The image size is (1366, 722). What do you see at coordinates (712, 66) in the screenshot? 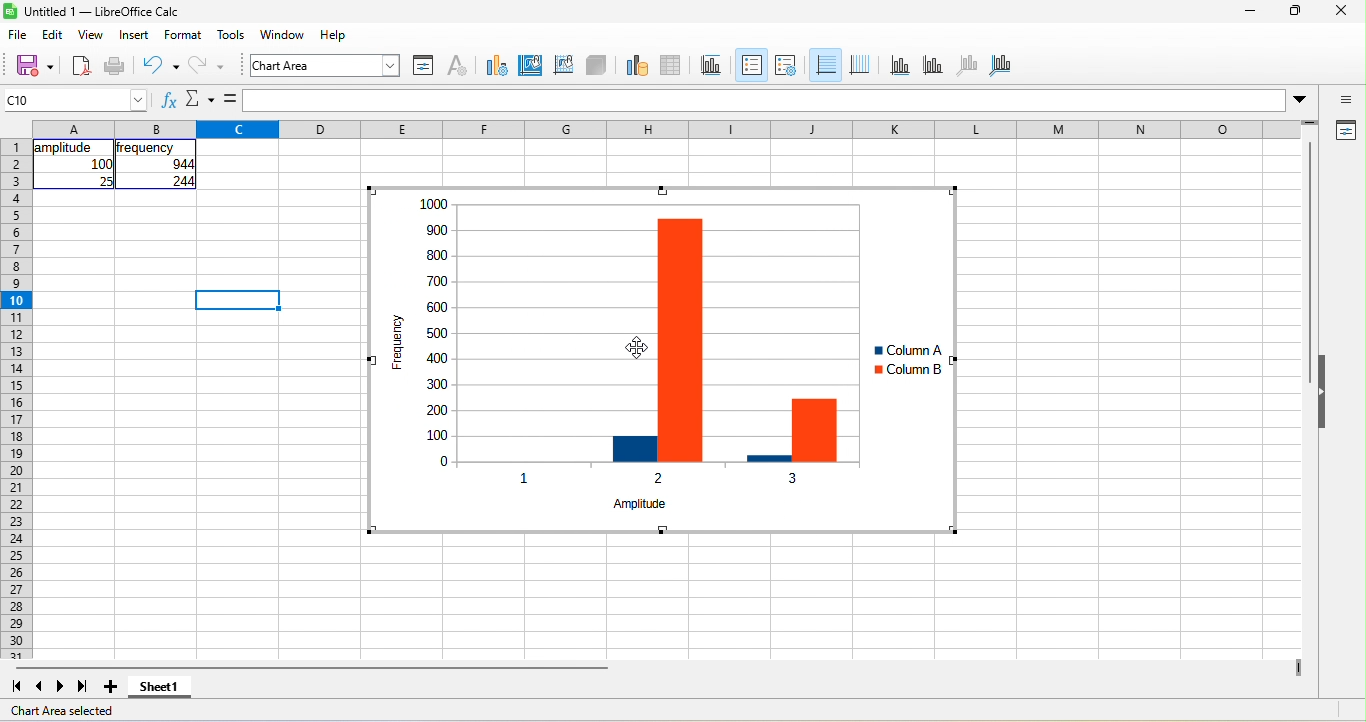
I see `titles` at bounding box center [712, 66].